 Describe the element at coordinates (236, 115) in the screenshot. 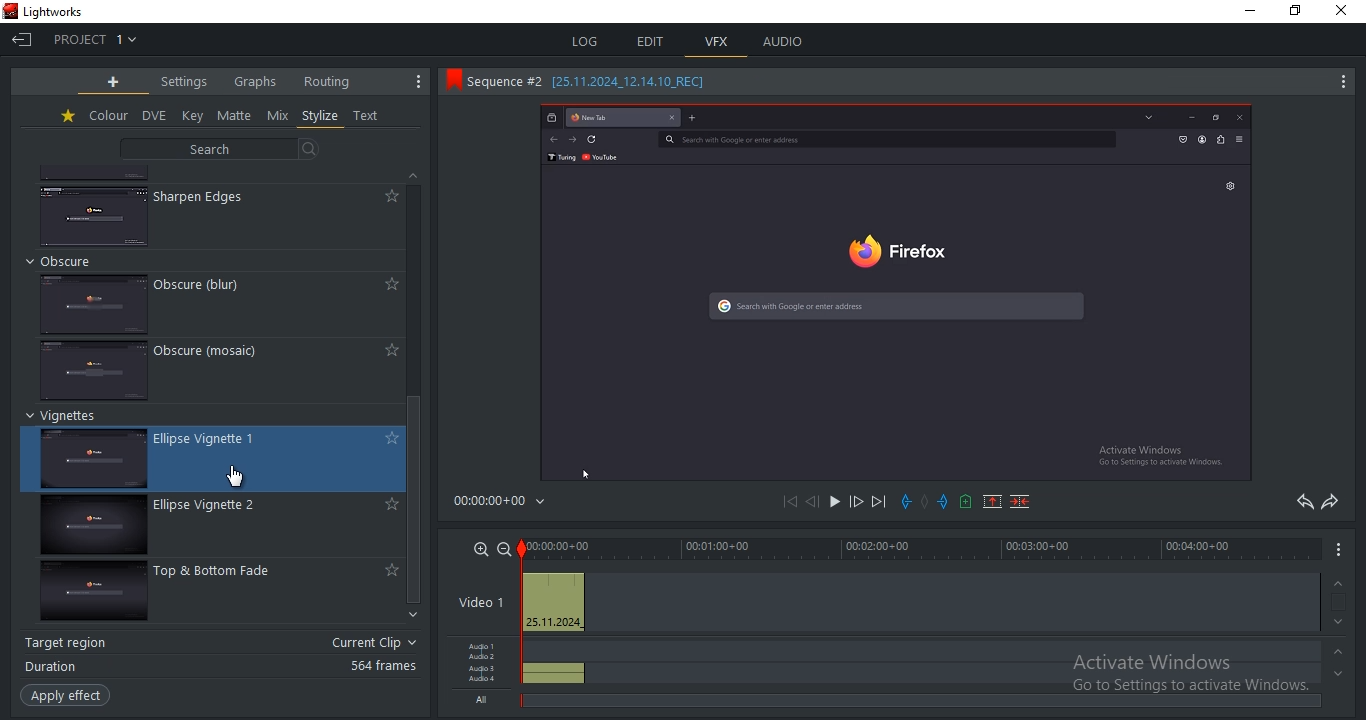

I see `matte` at that location.